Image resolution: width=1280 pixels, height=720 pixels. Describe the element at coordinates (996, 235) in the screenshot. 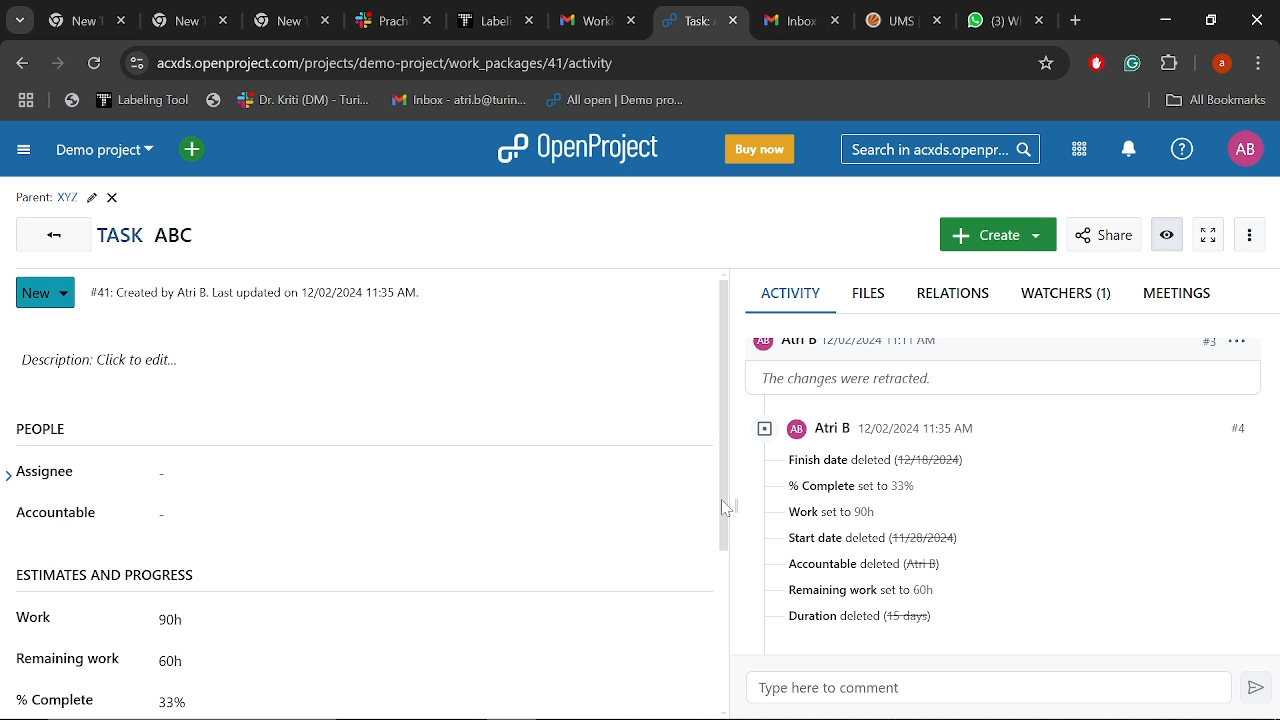

I see `New work package` at that location.